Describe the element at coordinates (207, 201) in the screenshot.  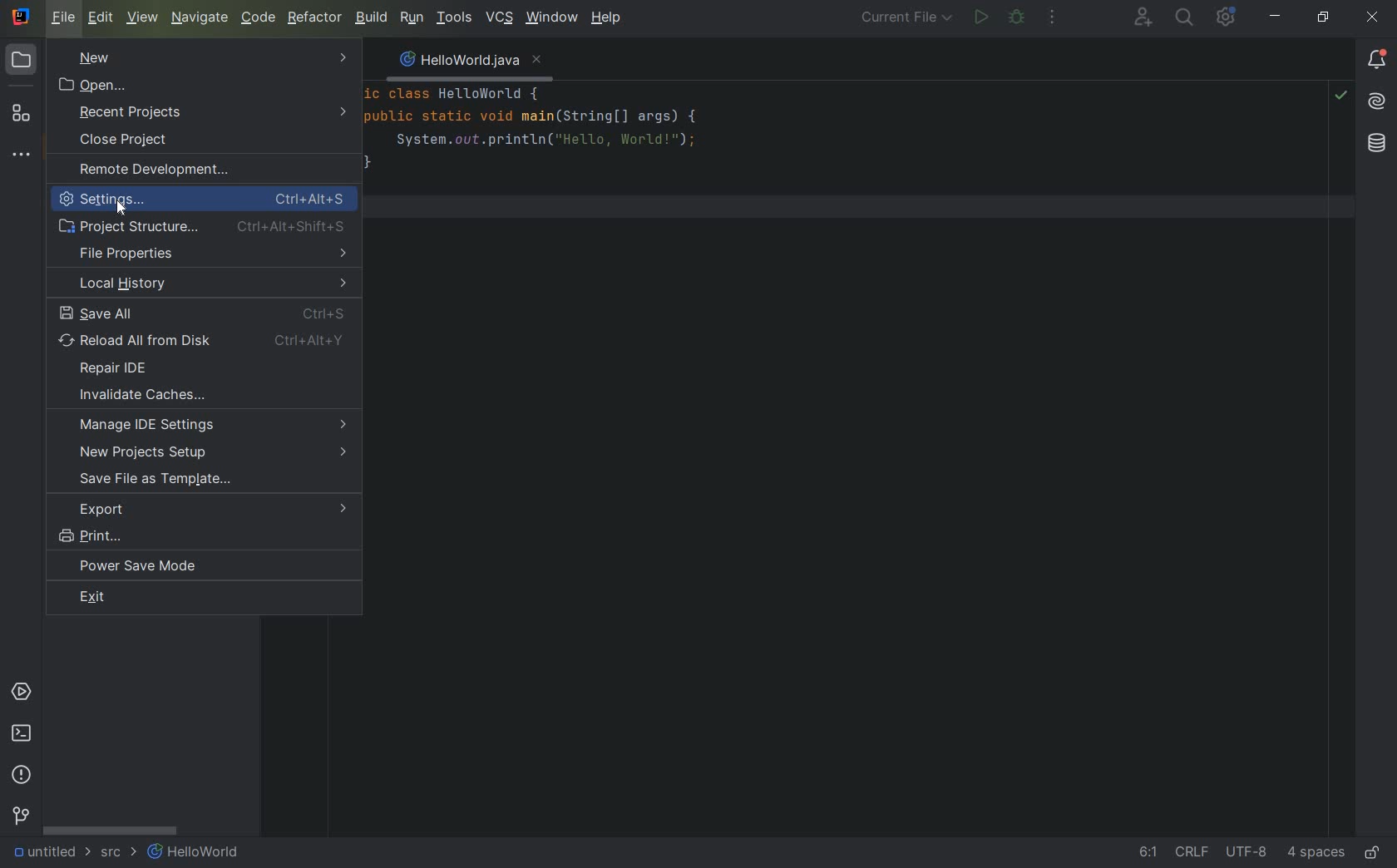
I see `SETTINGS` at that location.